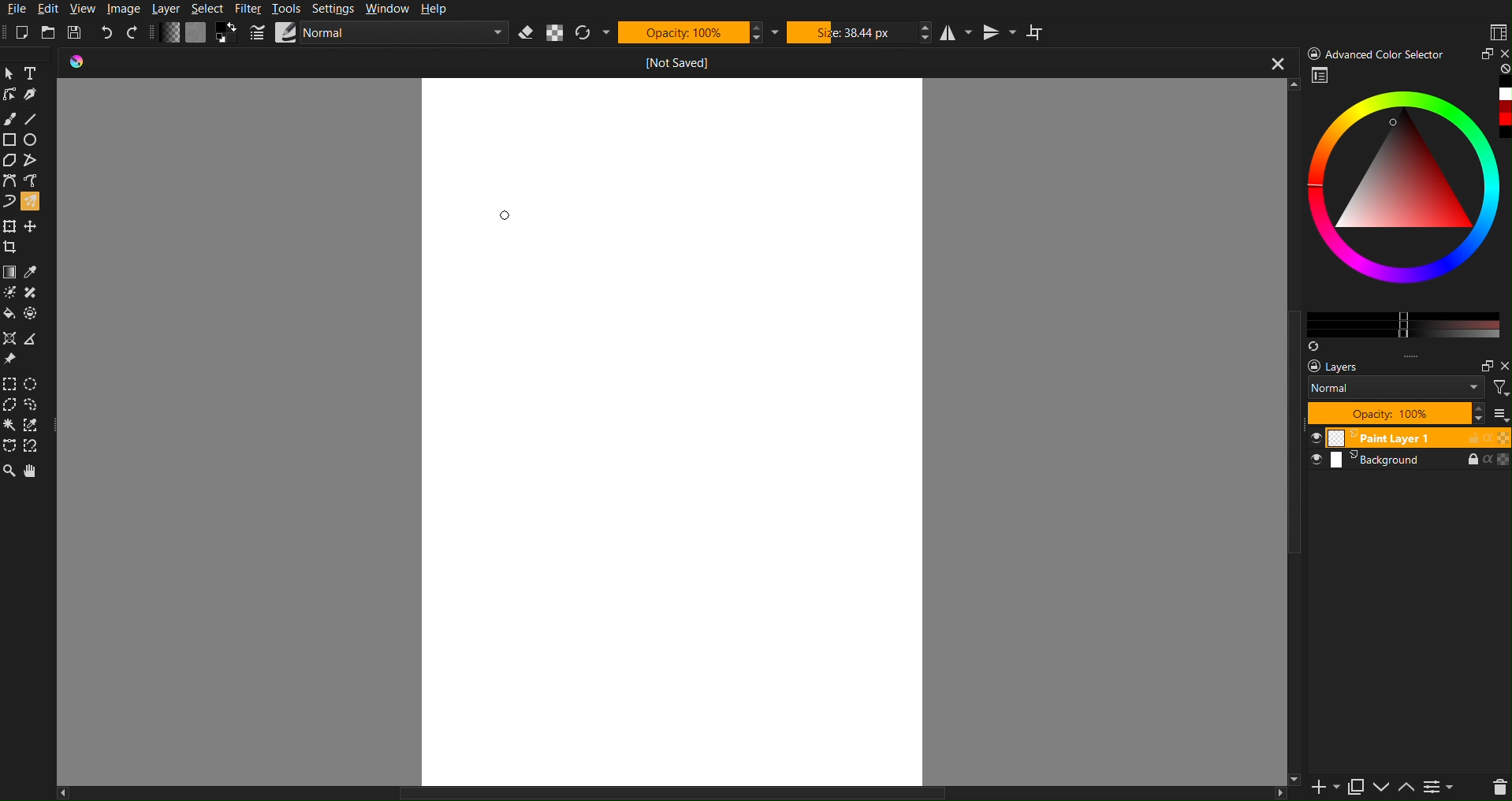 The image size is (1512, 801). What do you see at coordinates (54, 9) in the screenshot?
I see `Edit` at bounding box center [54, 9].